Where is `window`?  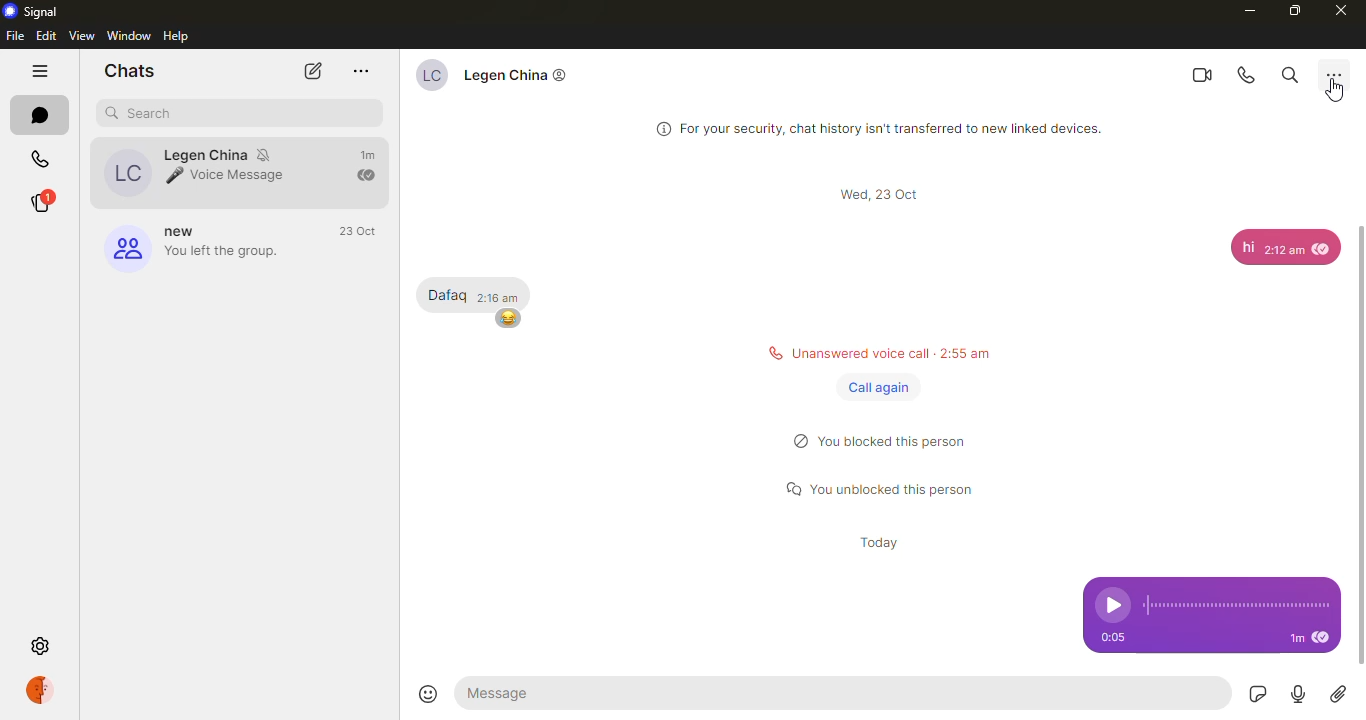 window is located at coordinates (128, 35).